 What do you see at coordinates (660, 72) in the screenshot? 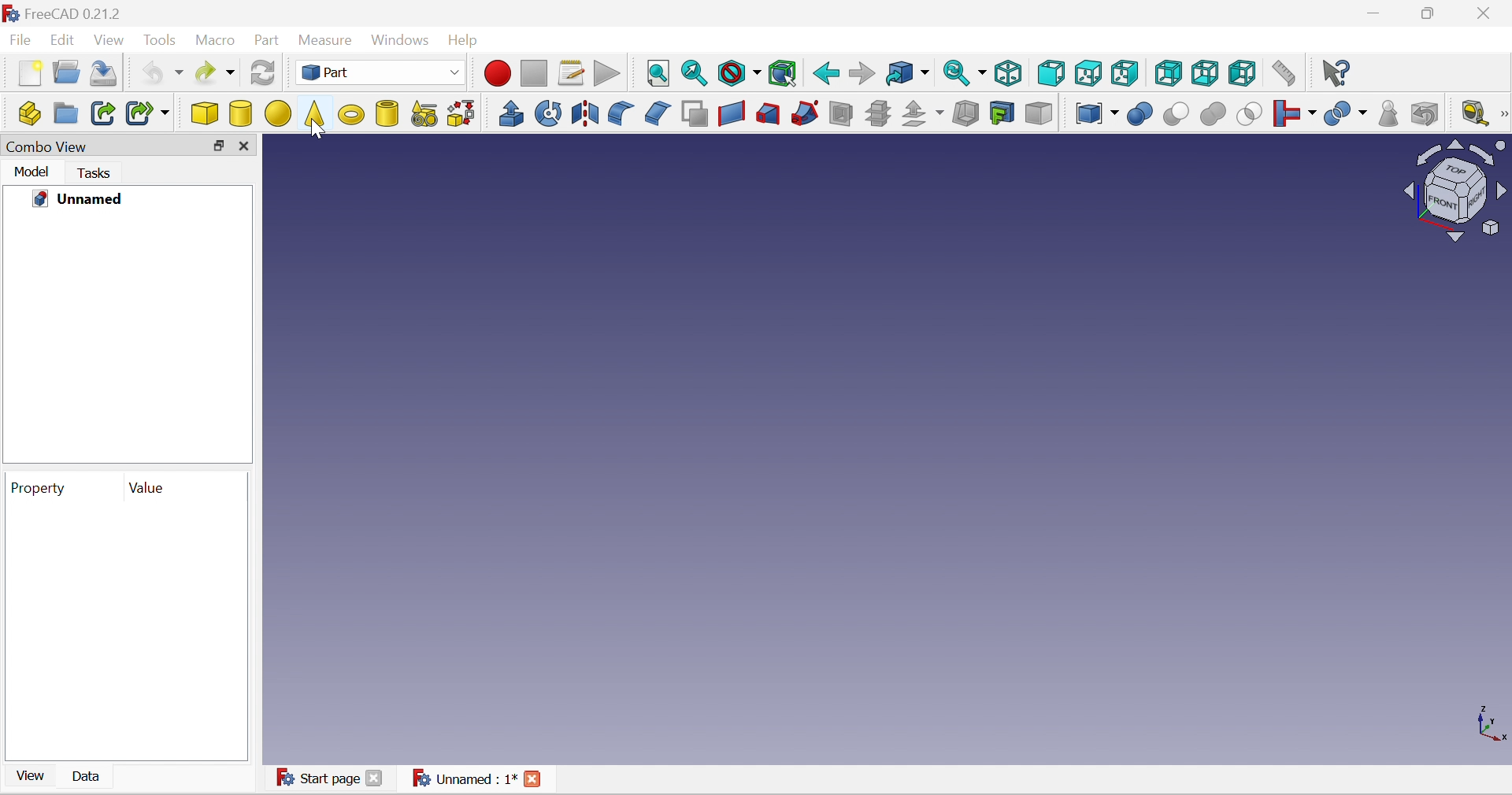
I see `Fit all` at bounding box center [660, 72].